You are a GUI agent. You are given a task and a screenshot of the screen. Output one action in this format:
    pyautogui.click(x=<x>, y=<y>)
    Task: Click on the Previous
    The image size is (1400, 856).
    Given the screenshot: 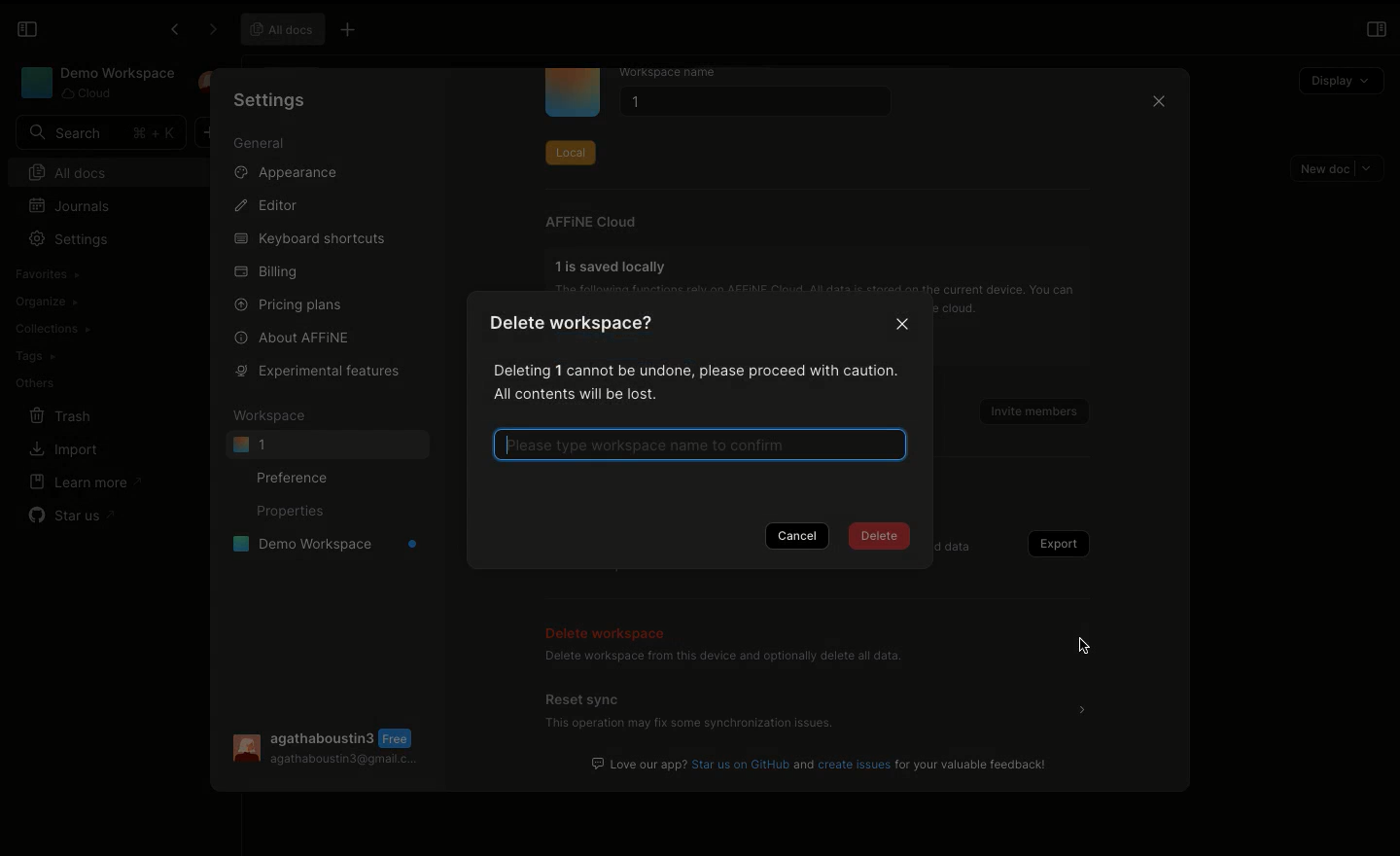 What is the action you would take?
    pyautogui.click(x=172, y=32)
    